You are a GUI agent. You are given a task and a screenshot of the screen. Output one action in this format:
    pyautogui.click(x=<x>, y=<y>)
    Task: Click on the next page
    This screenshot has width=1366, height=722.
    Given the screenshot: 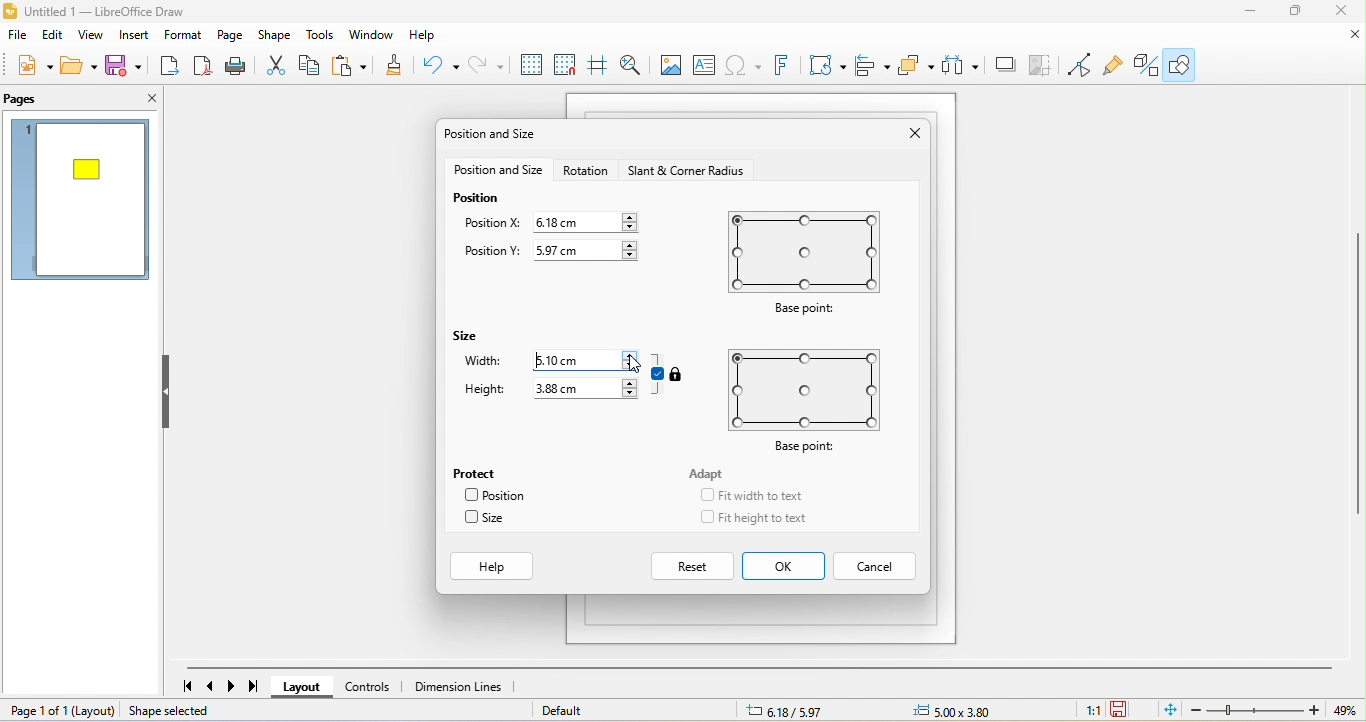 What is the action you would take?
    pyautogui.click(x=235, y=687)
    